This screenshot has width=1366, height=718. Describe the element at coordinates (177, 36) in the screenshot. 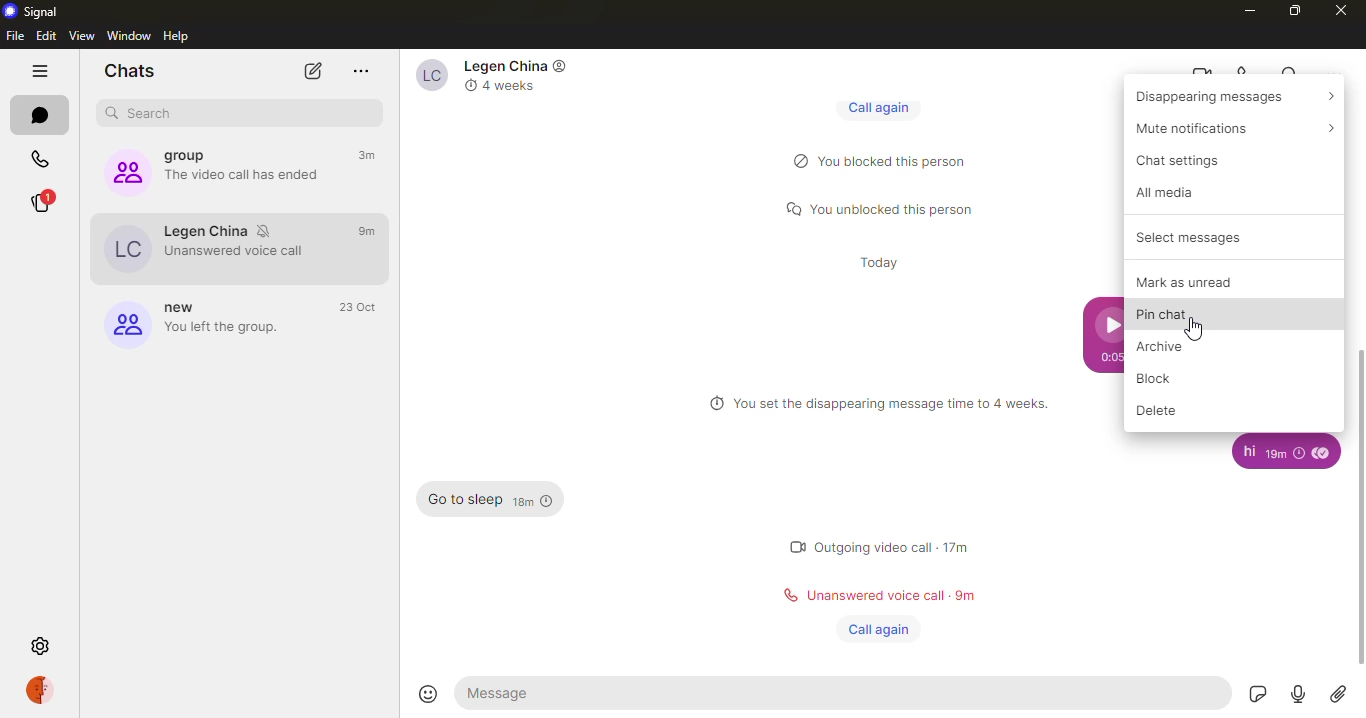

I see `help` at that location.